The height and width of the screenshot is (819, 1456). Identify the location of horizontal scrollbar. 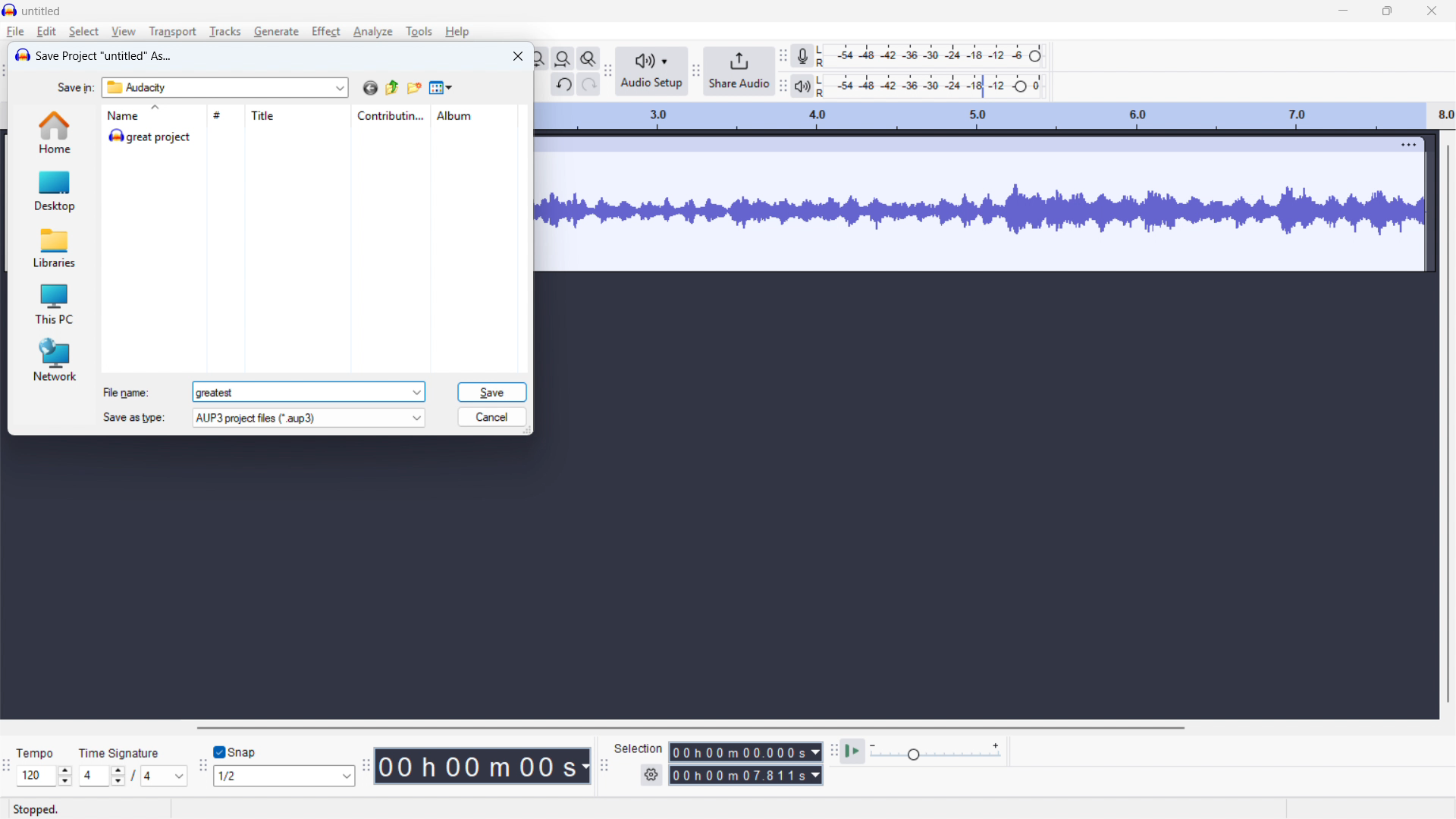
(689, 728).